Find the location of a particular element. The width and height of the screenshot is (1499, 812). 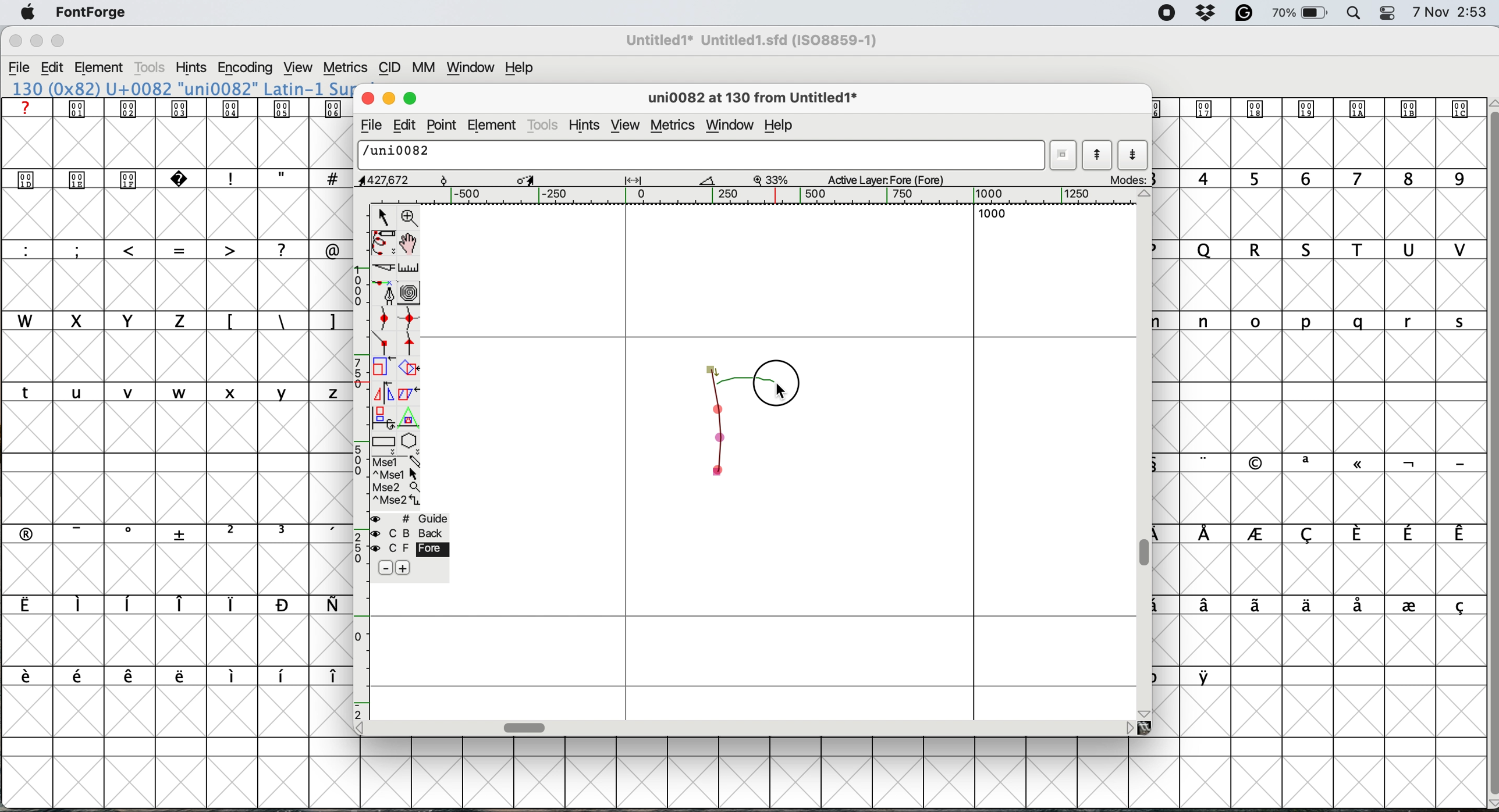

file is located at coordinates (369, 127).